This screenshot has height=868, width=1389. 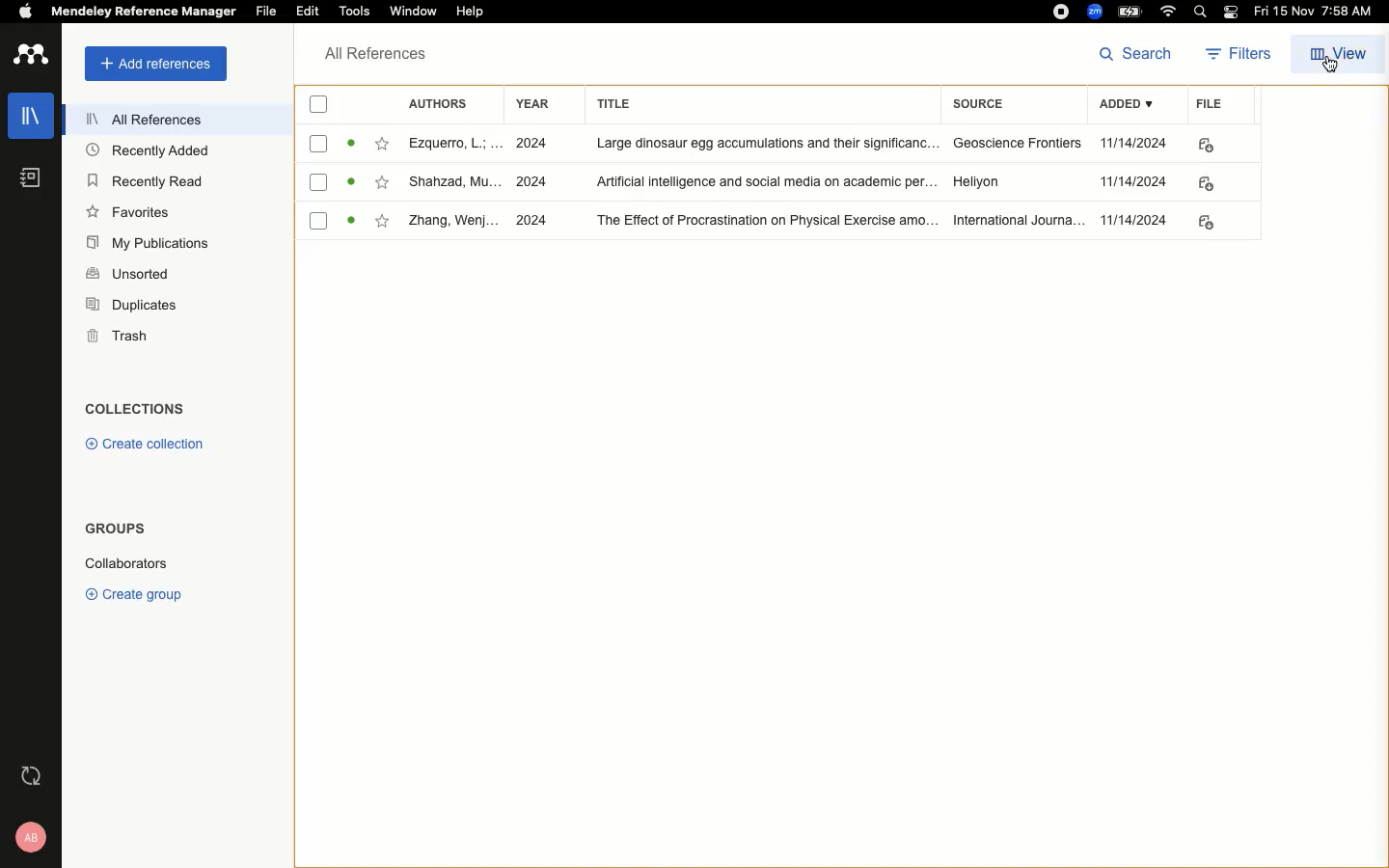 What do you see at coordinates (451, 145) in the screenshot?
I see `Ezquerro` at bounding box center [451, 145].